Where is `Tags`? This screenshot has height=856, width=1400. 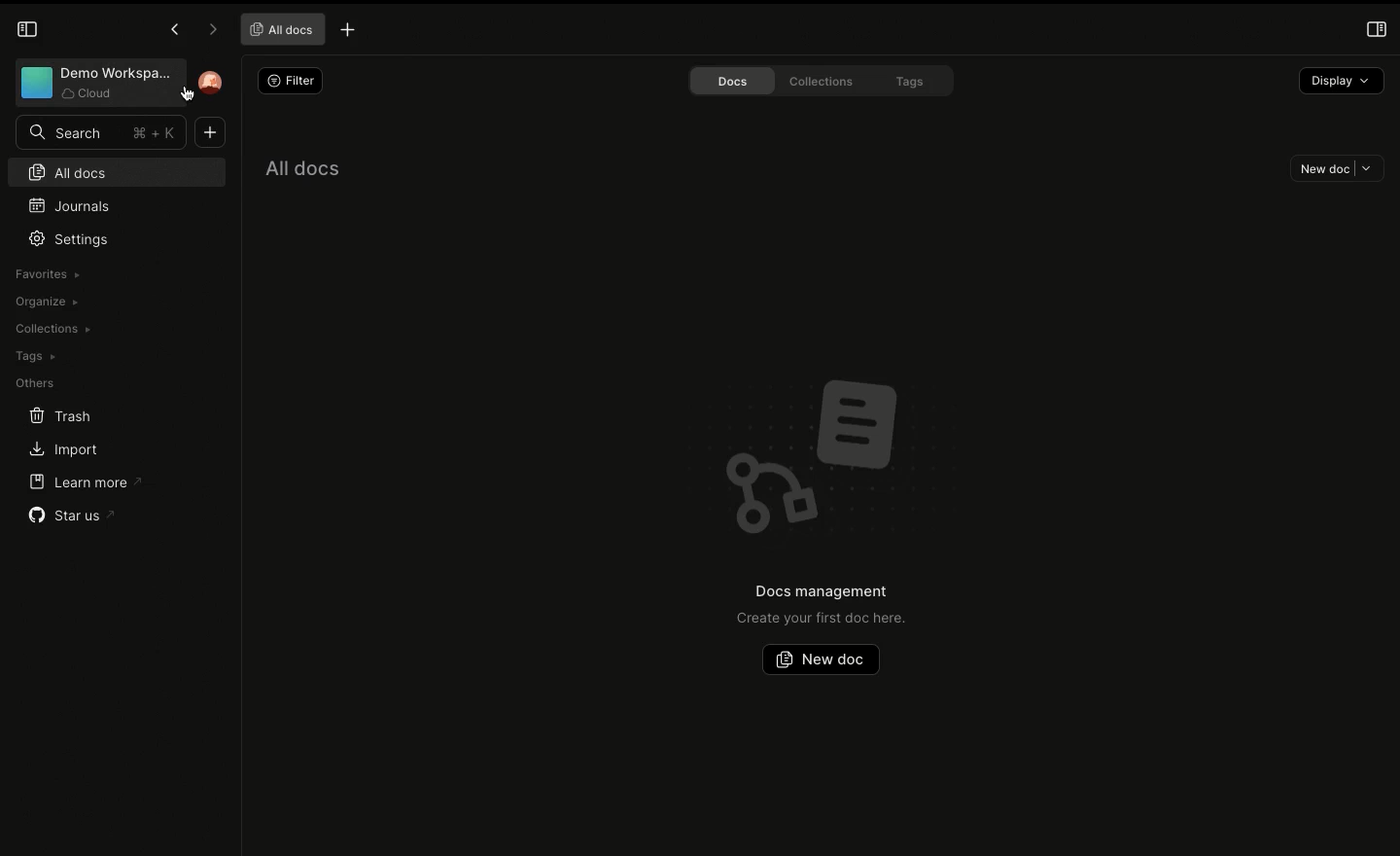
Tags is located at coordinates (920, 82).